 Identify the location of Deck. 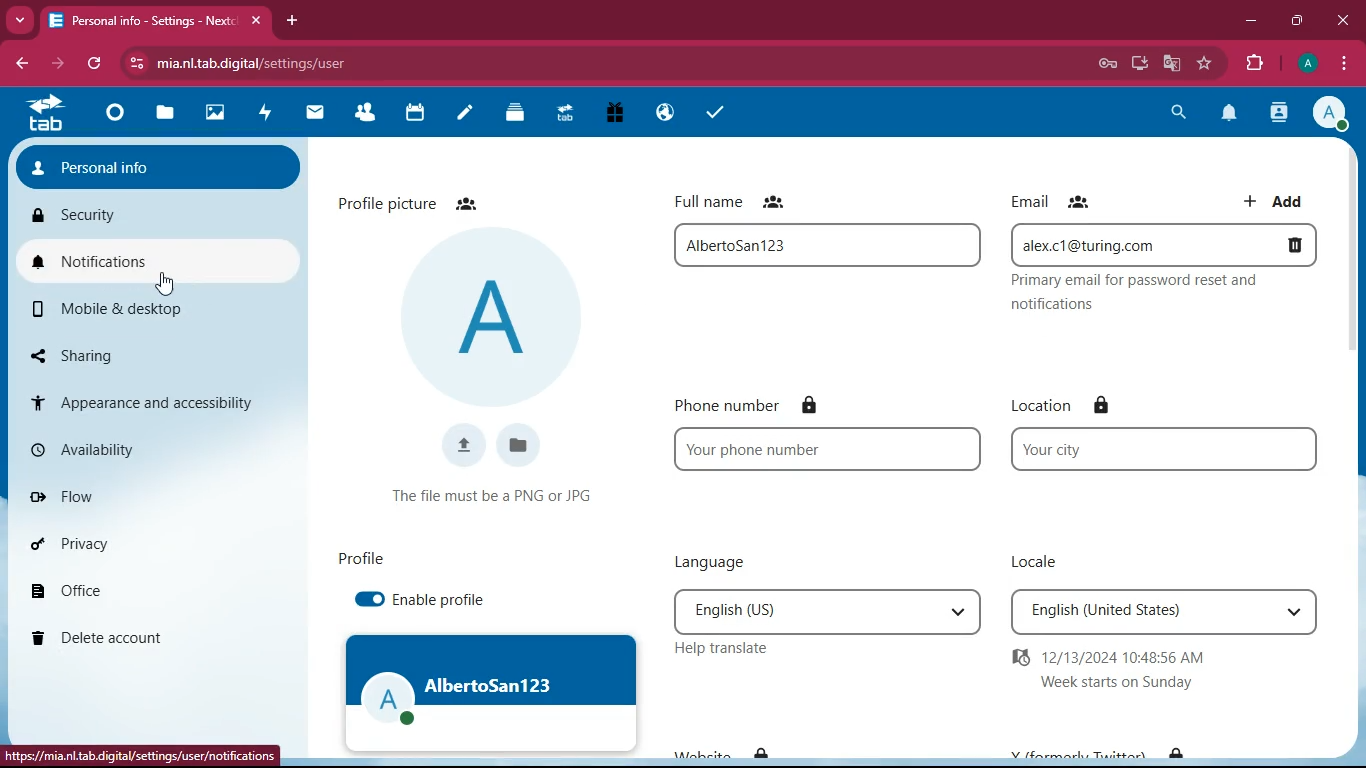
(517, 115).